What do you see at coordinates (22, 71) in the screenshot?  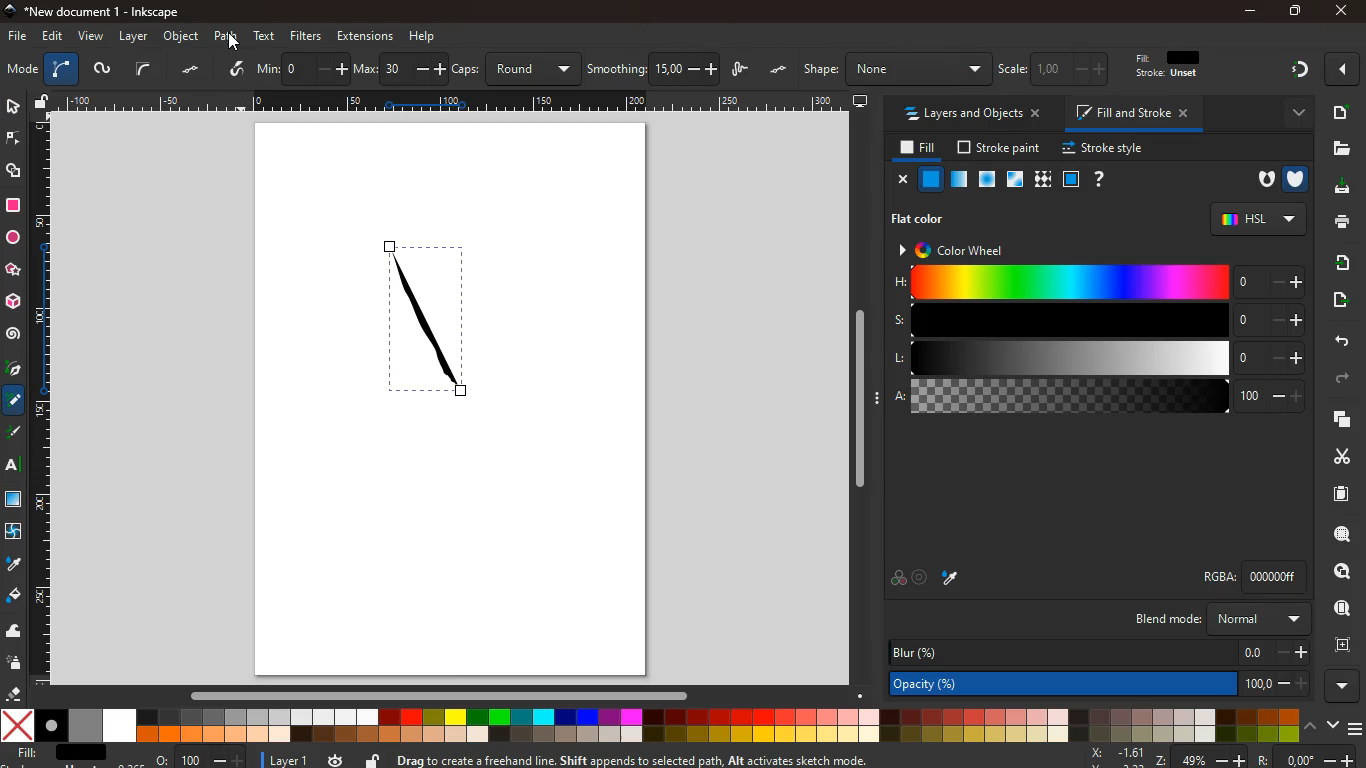 I see `mode` at bounding box center [22, 71].